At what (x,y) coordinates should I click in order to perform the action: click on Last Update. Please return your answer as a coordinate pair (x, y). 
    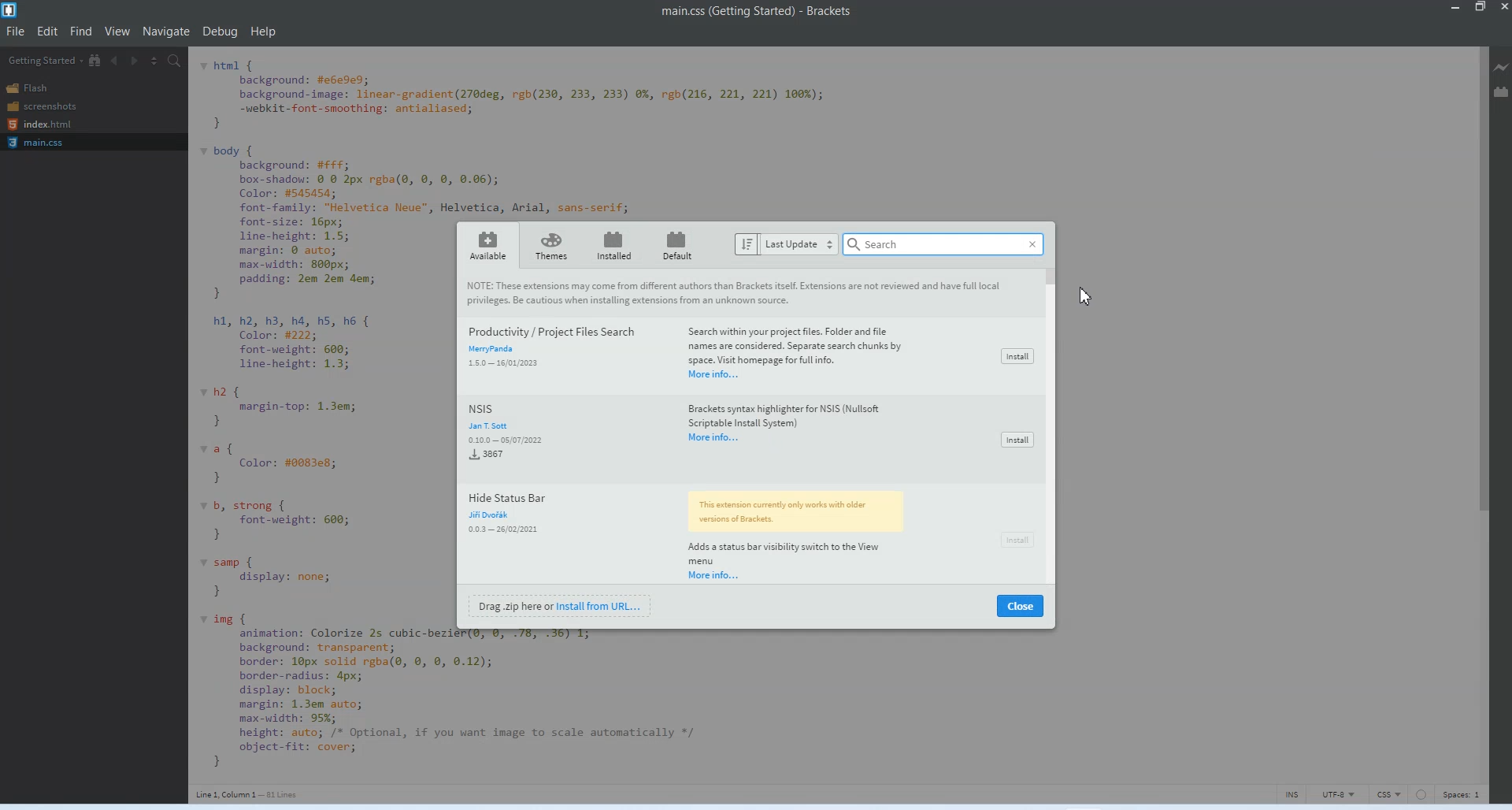
    Looking at the image, I should click on (784, 244).